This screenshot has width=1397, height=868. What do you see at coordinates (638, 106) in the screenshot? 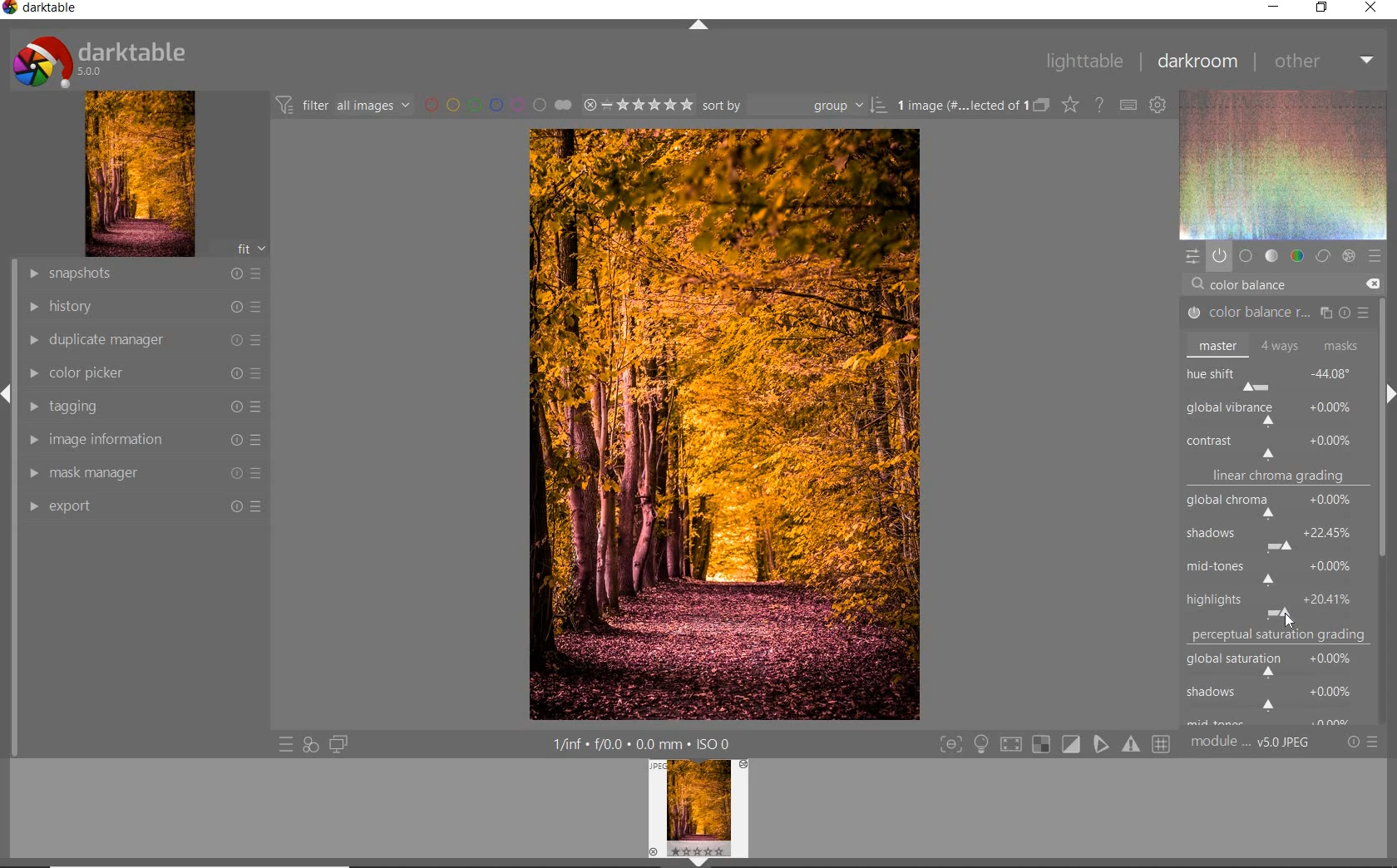
I see `selected image range rating` at bounding box center [638, 106].